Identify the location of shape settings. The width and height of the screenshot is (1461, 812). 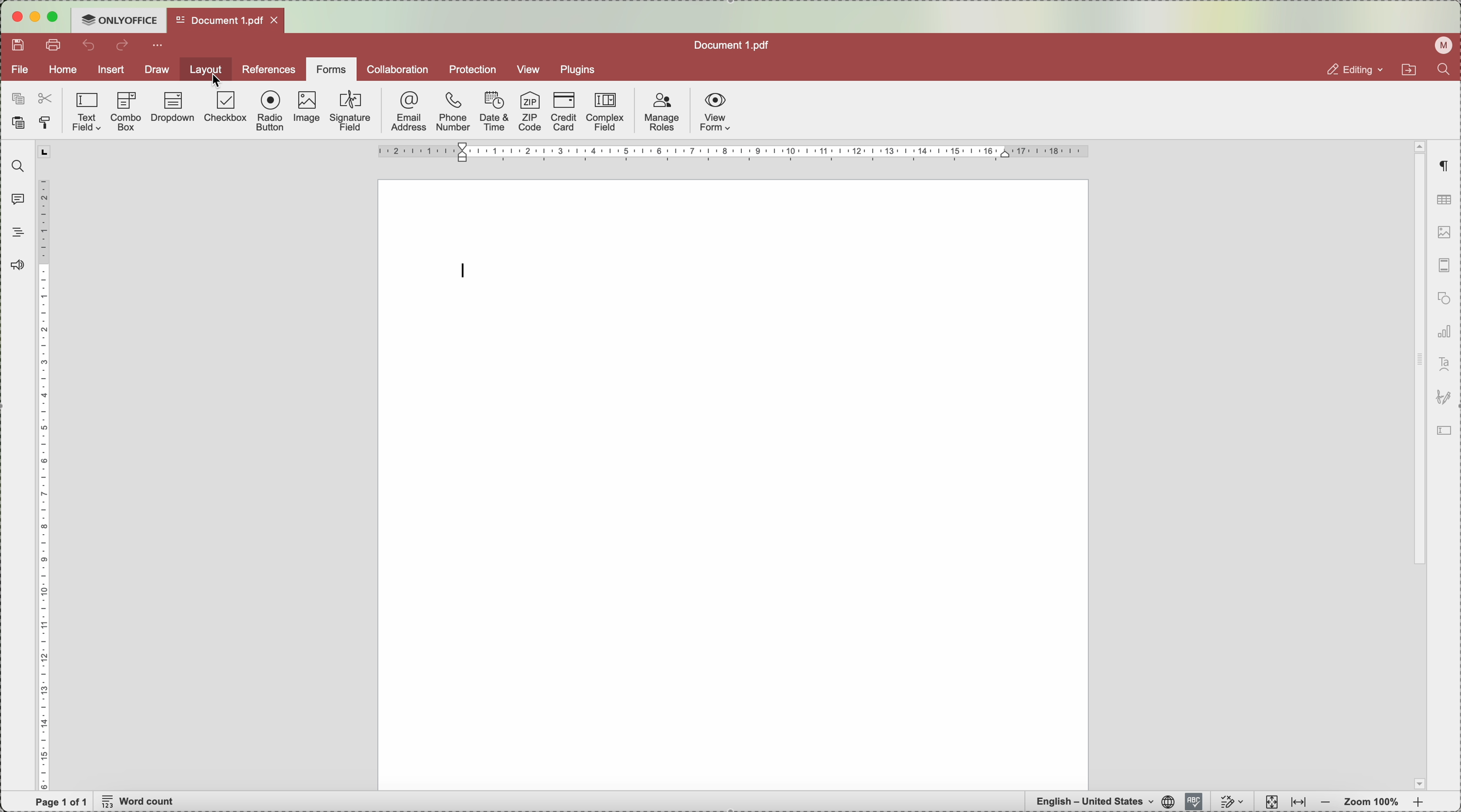
(1442, 301).